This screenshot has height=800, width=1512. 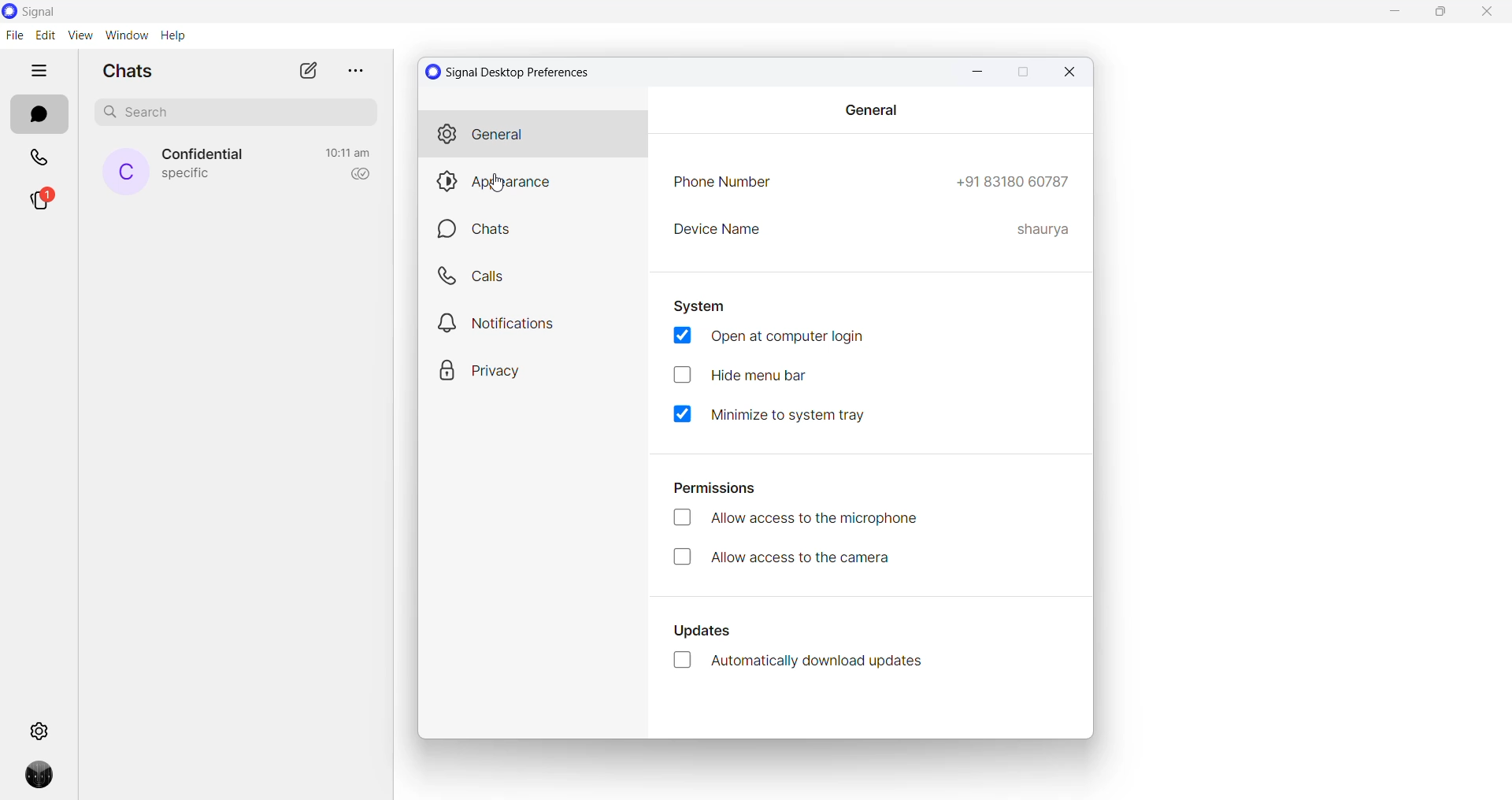 I want to click on phone number, so click(x=1013, y=183).